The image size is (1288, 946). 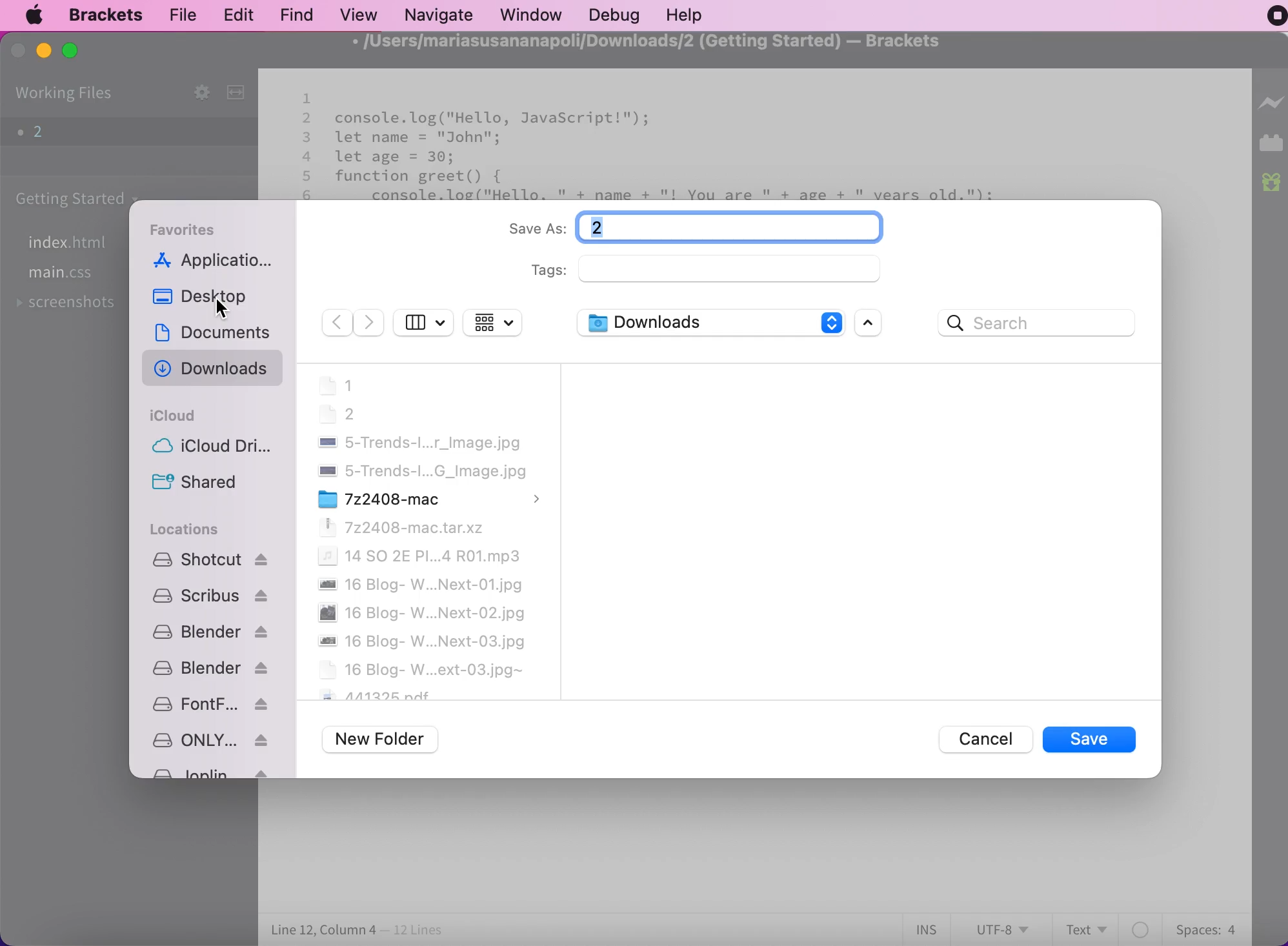 I want to click on 6, so click(x=307, y=196).